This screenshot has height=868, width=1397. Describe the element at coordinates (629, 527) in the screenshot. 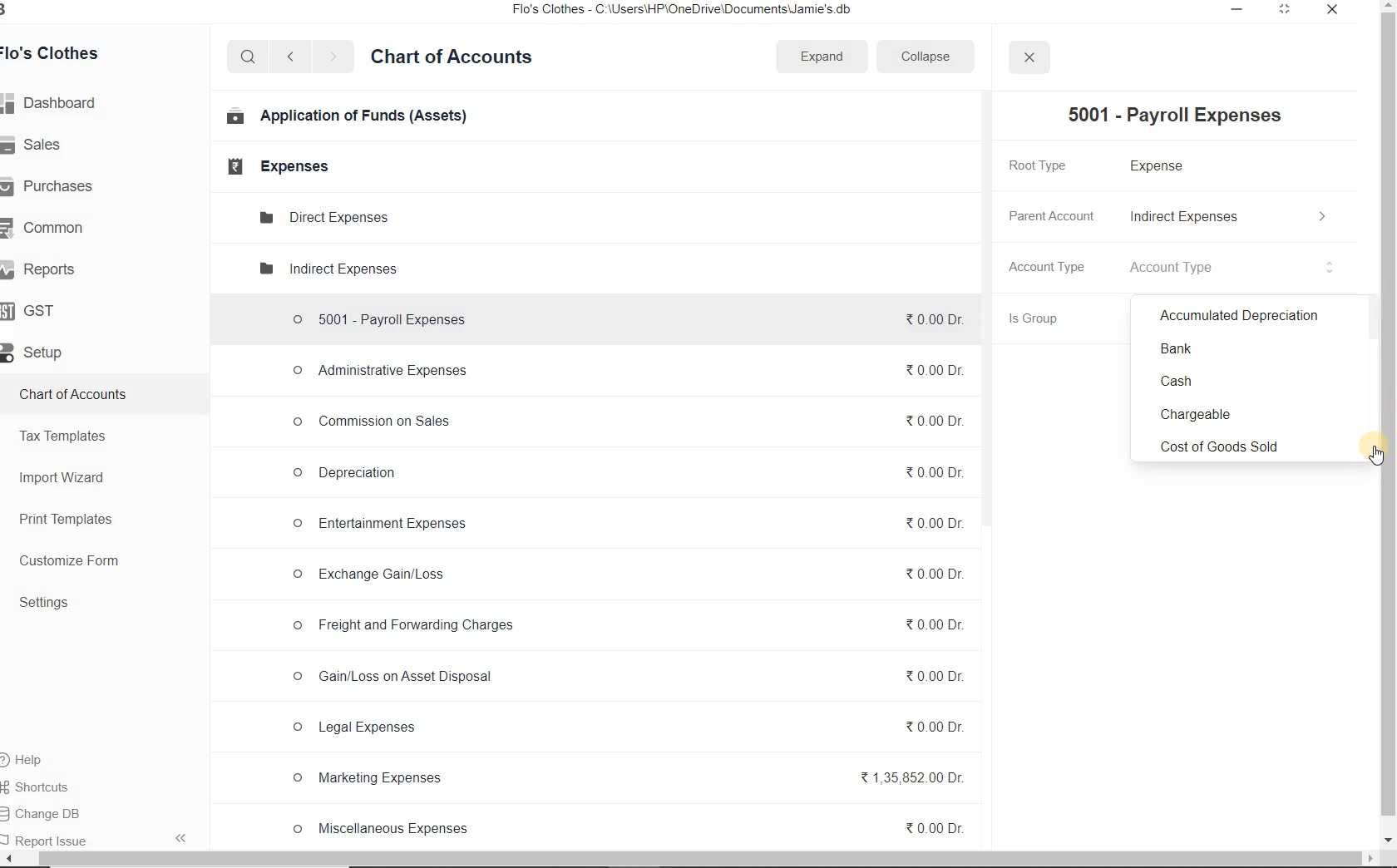

I see `O Entertainment Expenses %0.00Dr.` at that location.